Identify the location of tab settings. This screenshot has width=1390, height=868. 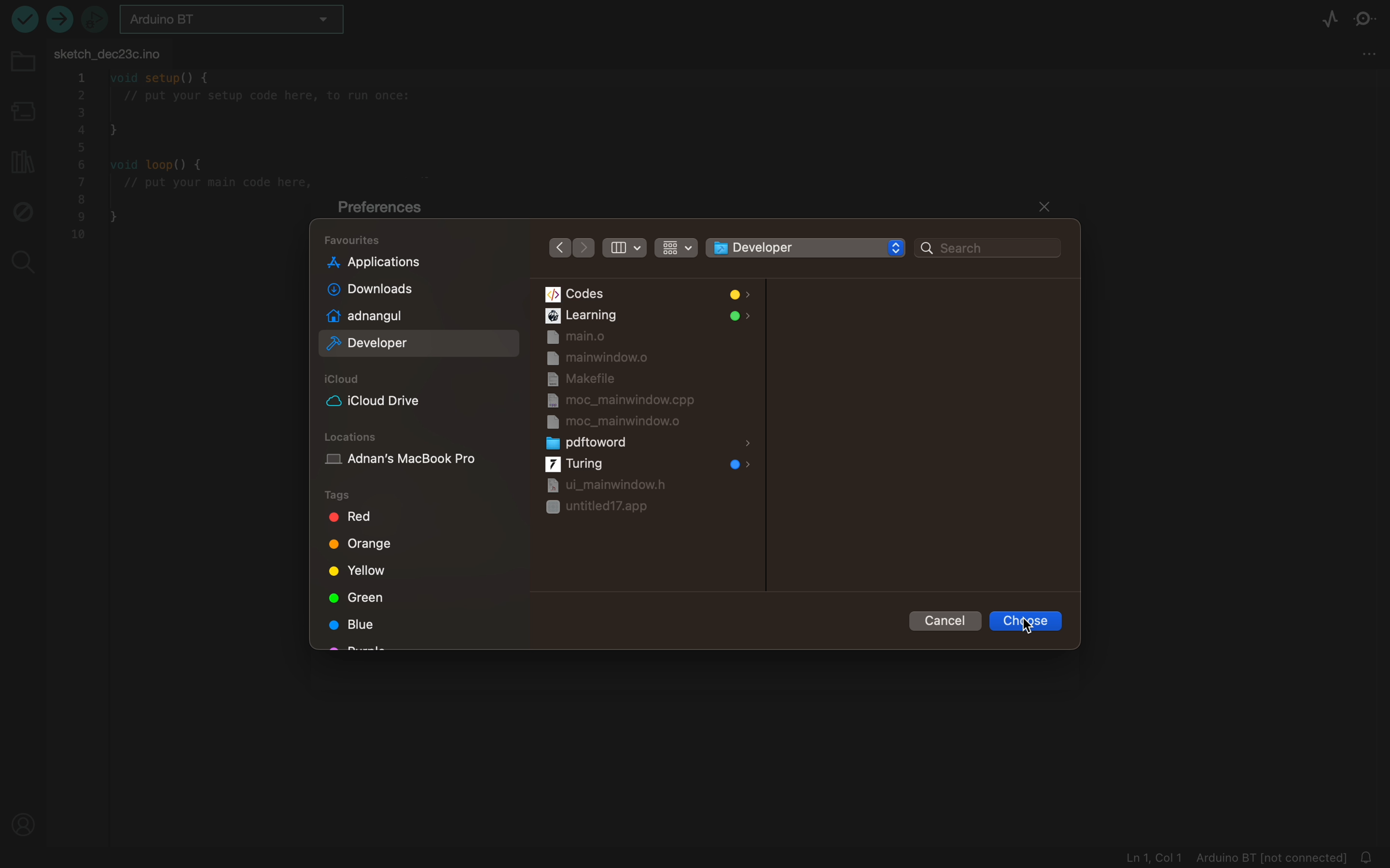
(1365, 57).